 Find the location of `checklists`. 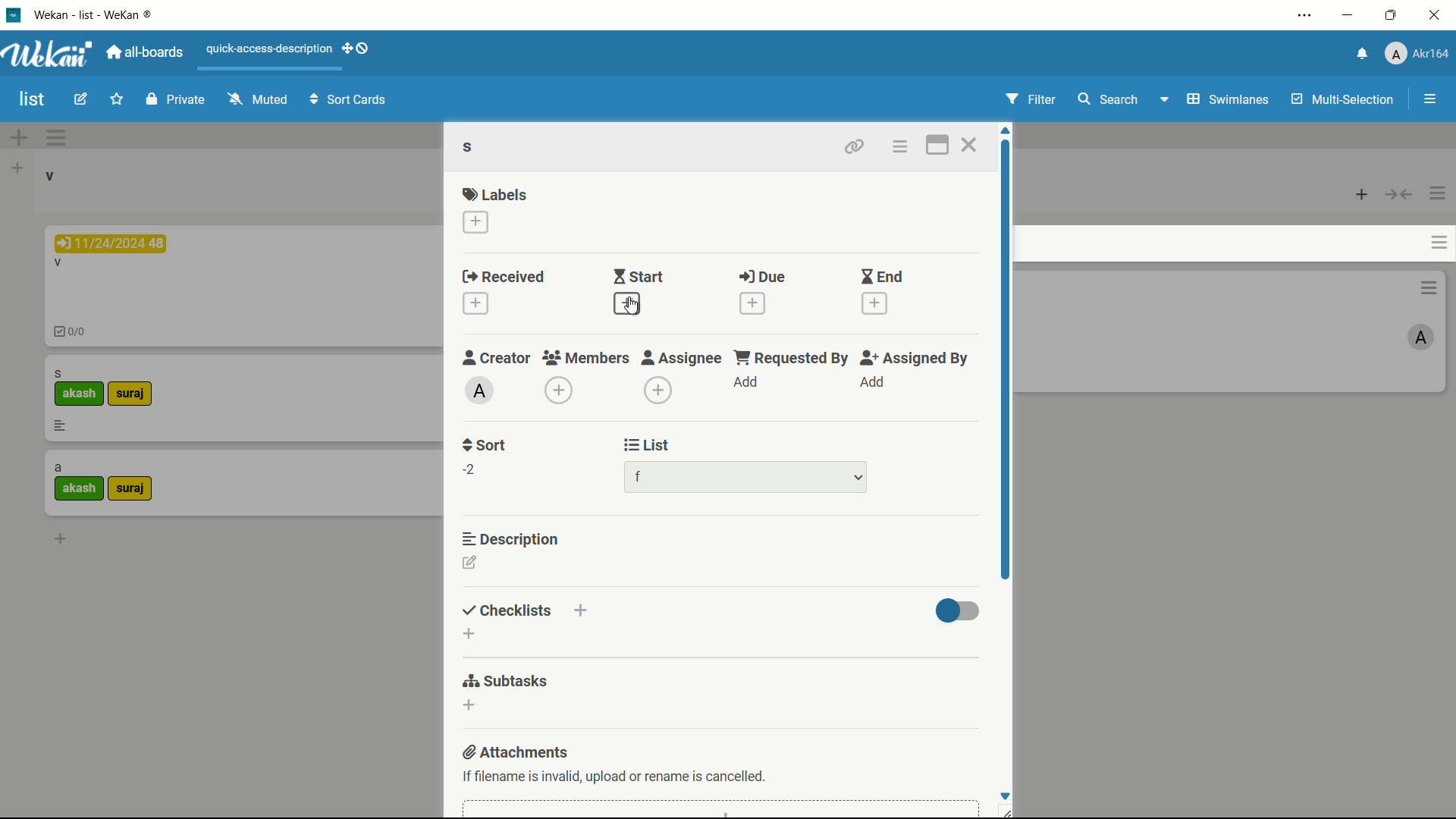

checklists is located at coordinates (507, 611).